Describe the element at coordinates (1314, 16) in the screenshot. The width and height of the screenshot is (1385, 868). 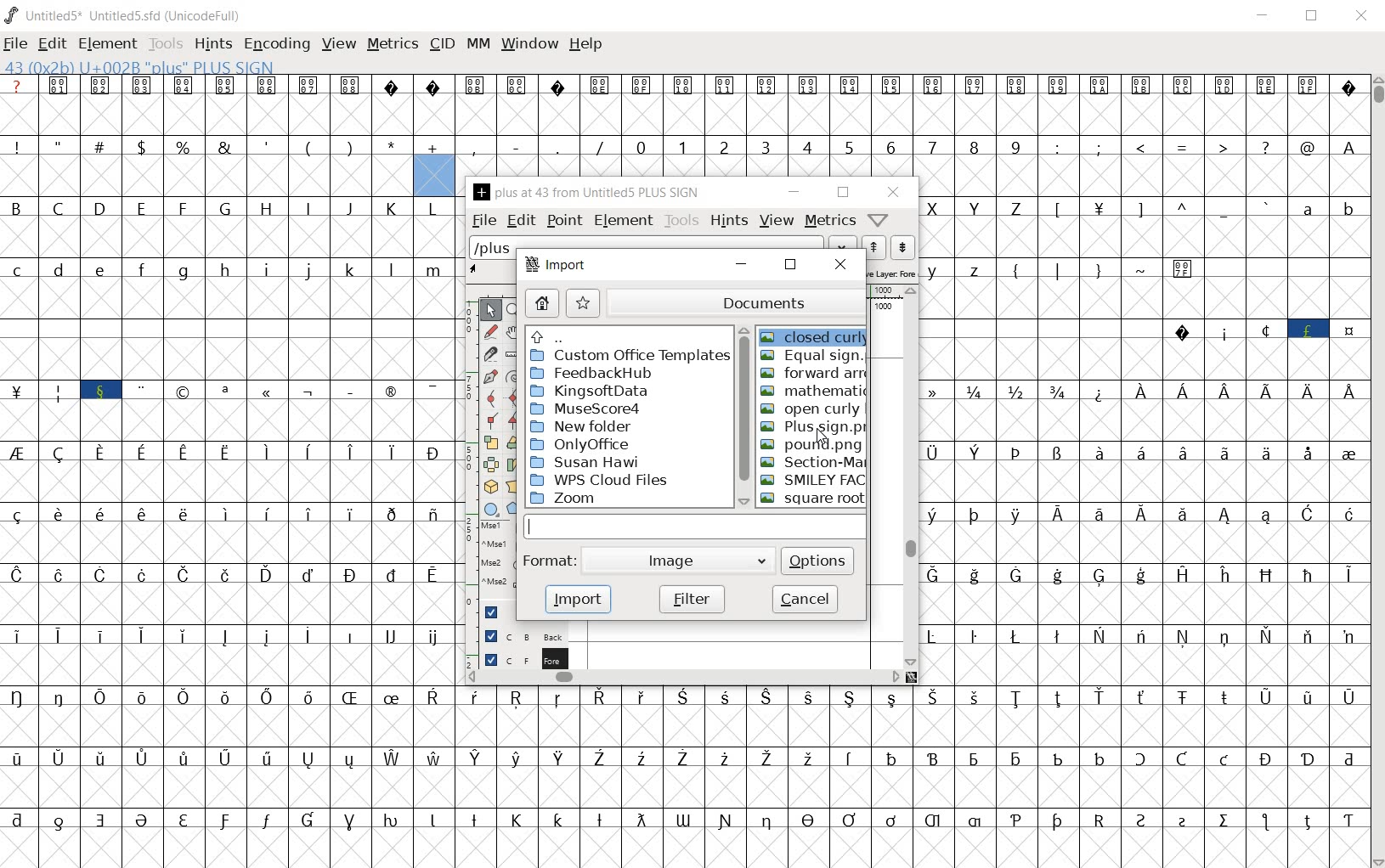
I see `restore down` at that location.